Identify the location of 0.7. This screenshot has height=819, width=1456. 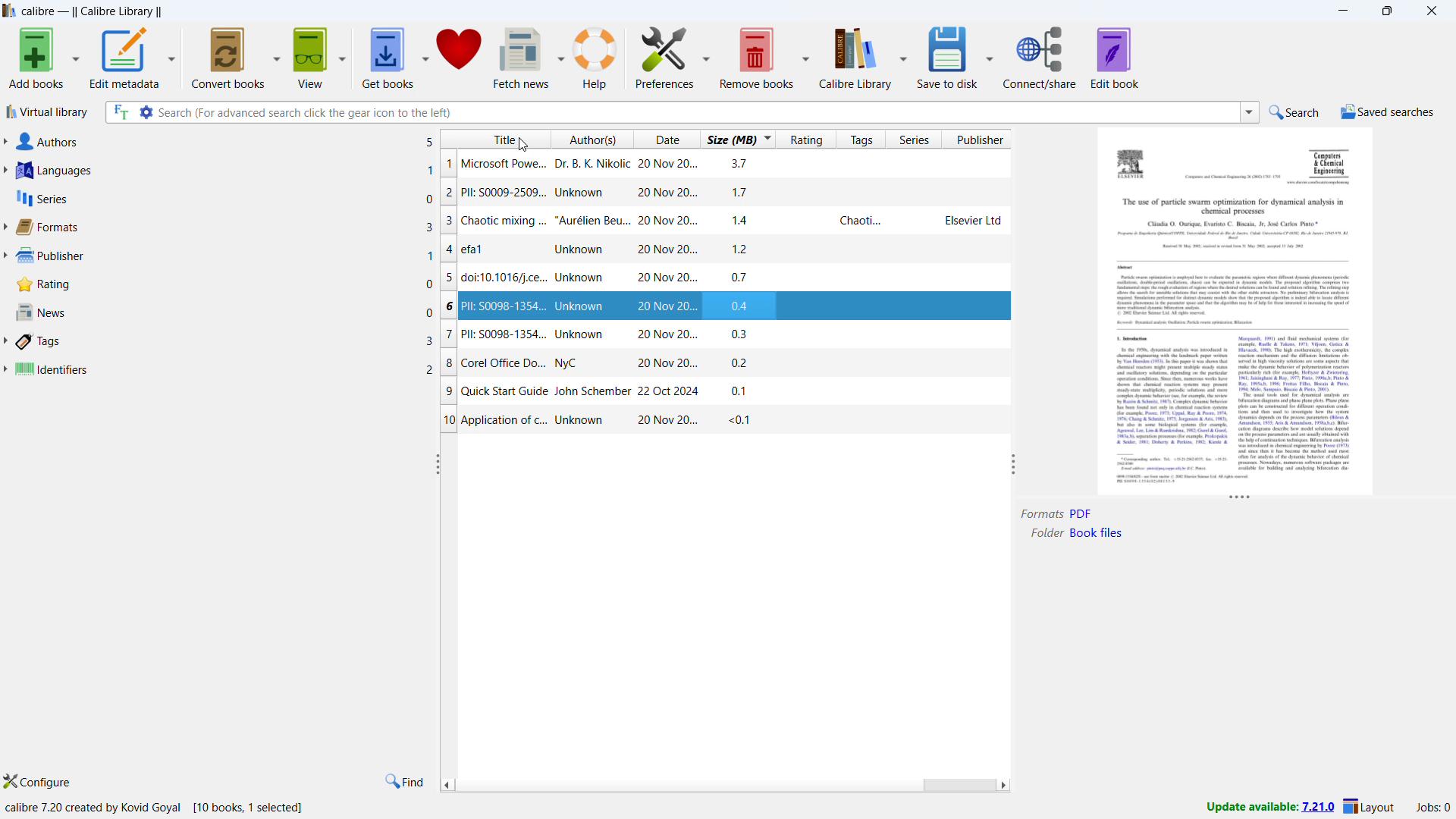
(745, 278).